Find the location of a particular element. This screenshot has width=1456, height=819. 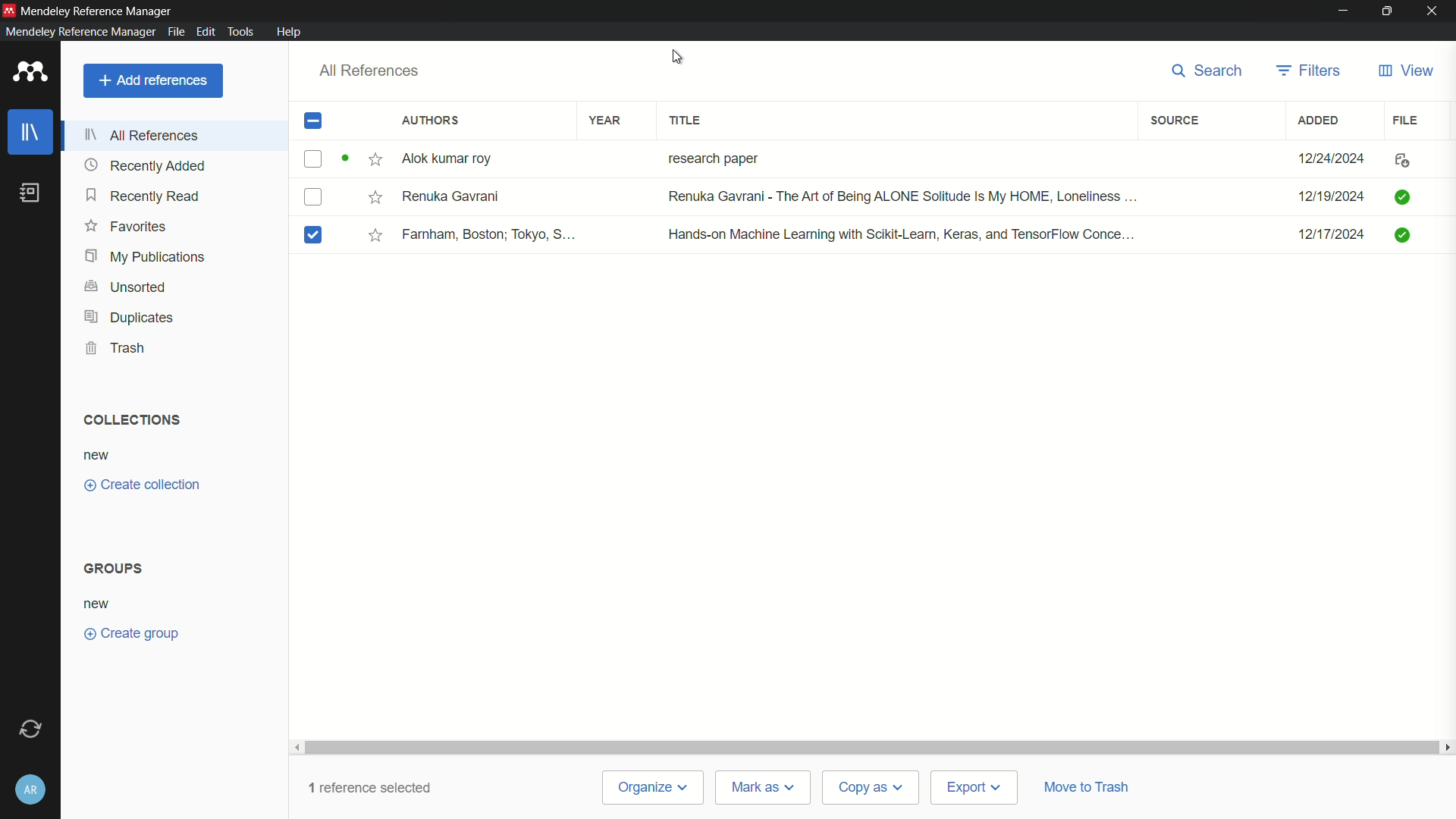

help menu is located at coordinates (290, 32).